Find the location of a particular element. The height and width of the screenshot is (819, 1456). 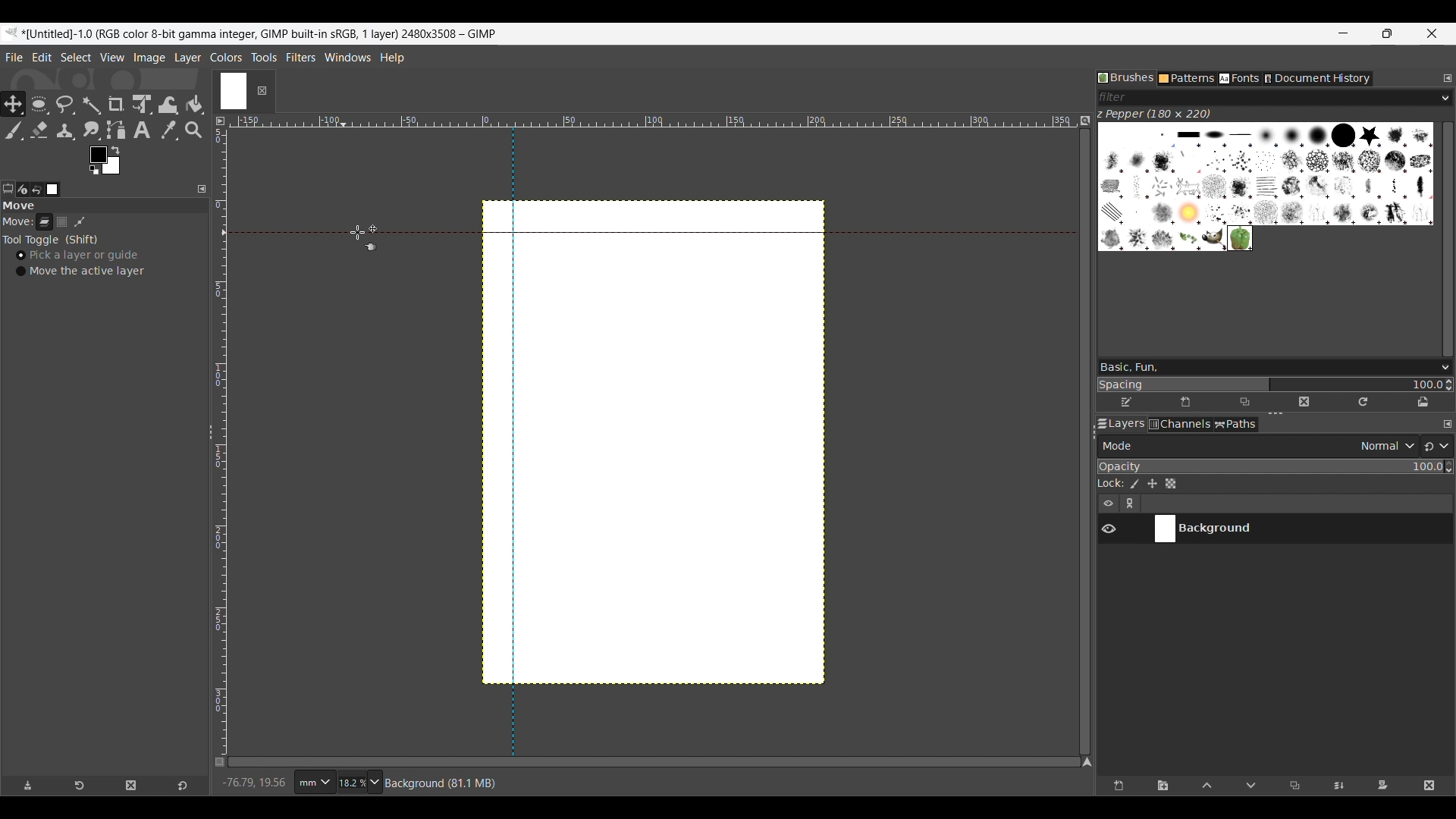

Brushes tab, current selection highlighted is located at coordinates (1126, 77).